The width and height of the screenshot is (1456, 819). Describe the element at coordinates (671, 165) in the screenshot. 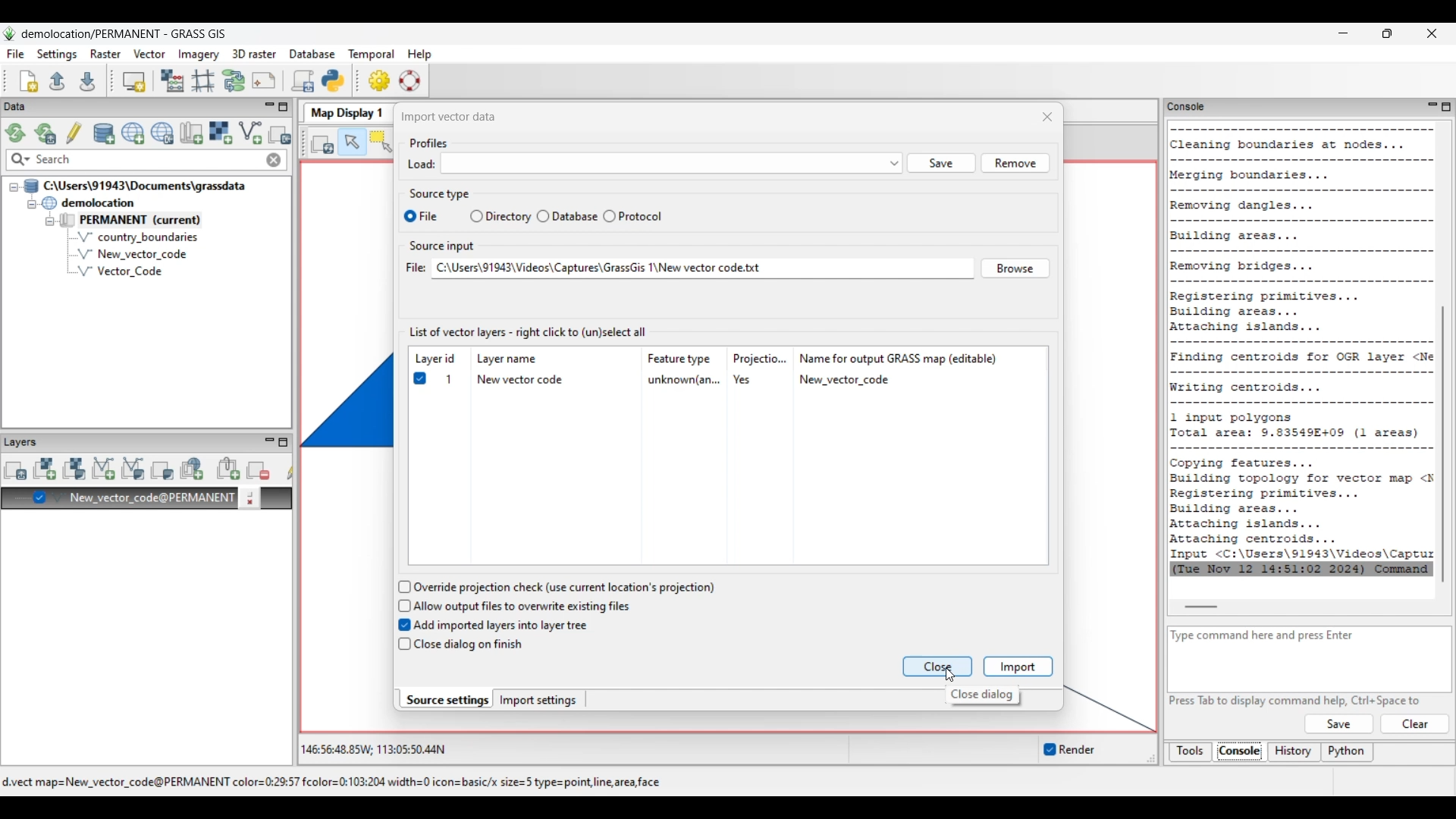

I see `menu` at that location.